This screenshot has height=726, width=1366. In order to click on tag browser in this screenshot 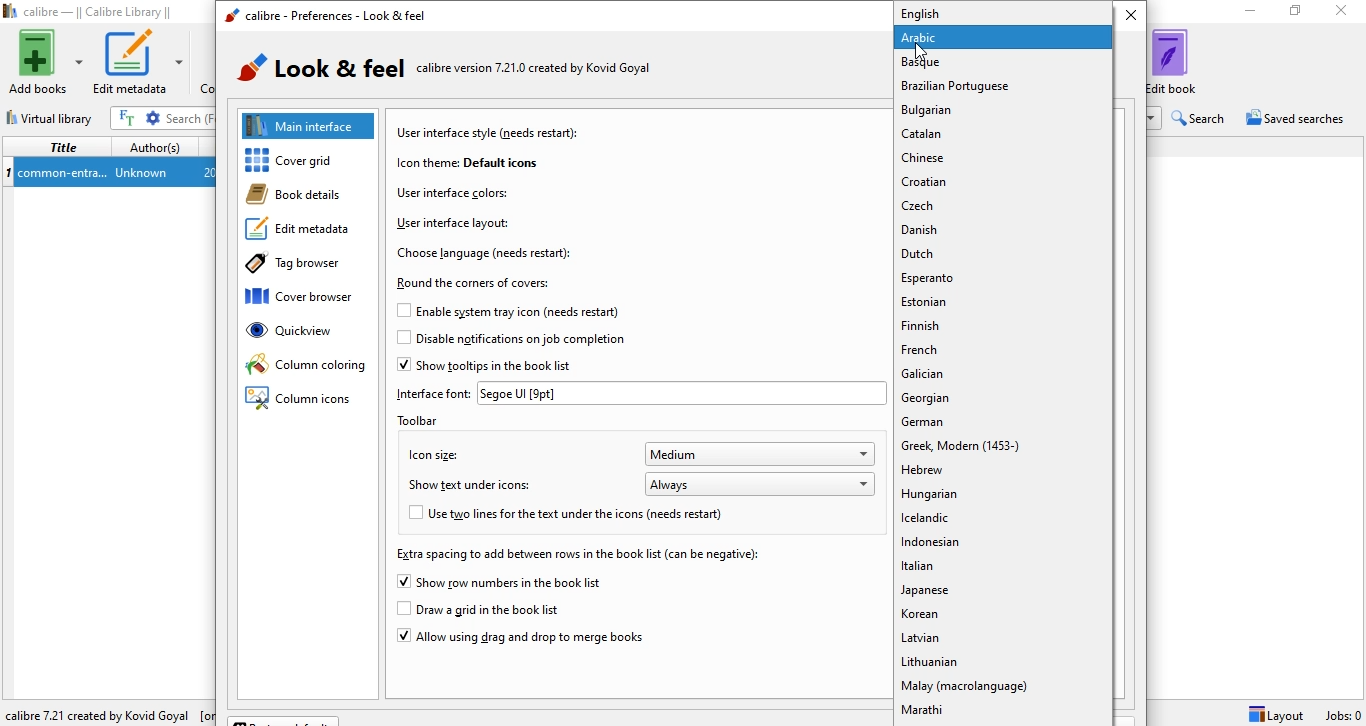, I will do `click(302, 266)`.